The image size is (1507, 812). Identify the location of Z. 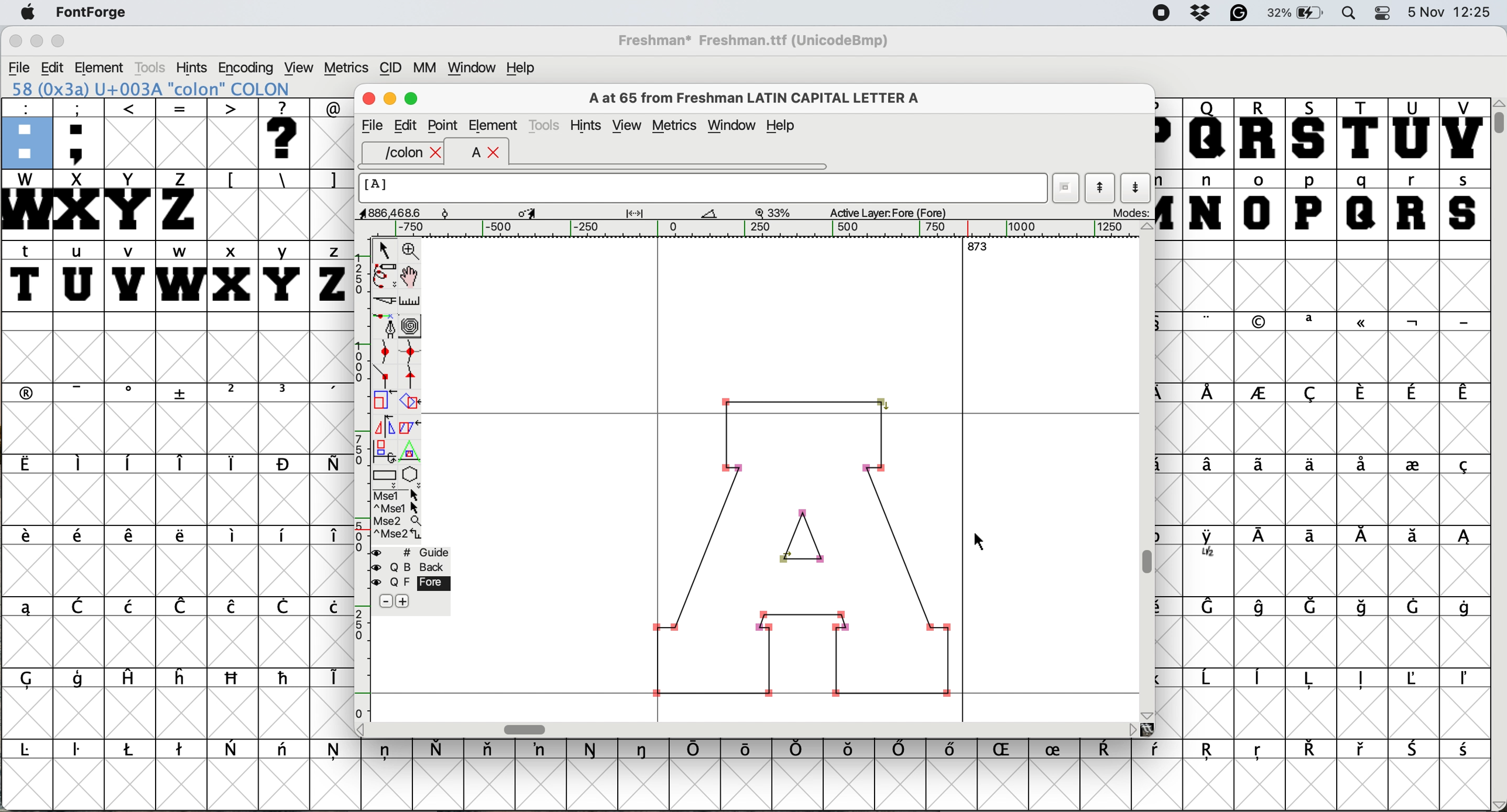
(181, 204).